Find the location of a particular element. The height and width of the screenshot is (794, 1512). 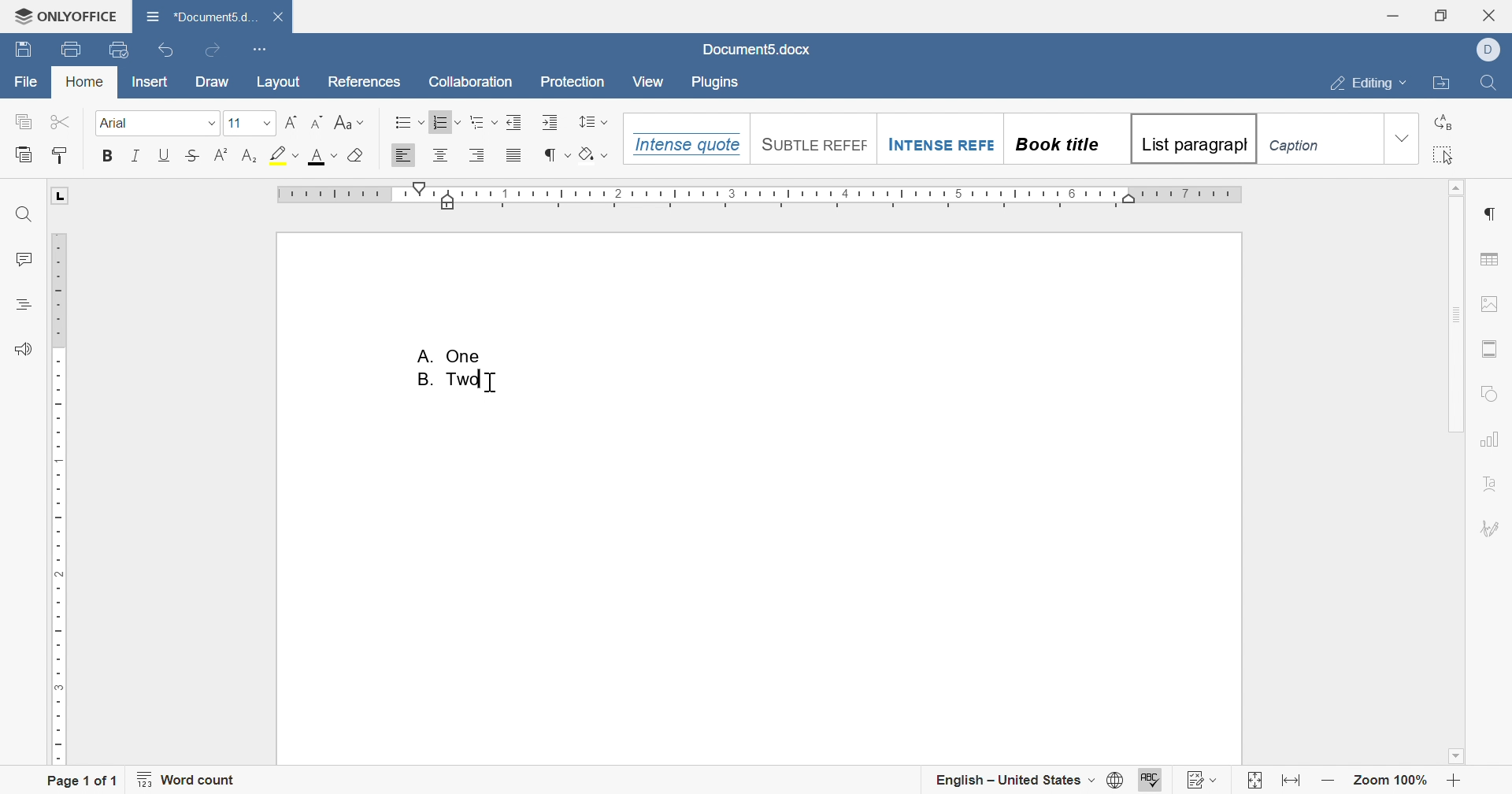

drop down is located at coordinates (210, 124).